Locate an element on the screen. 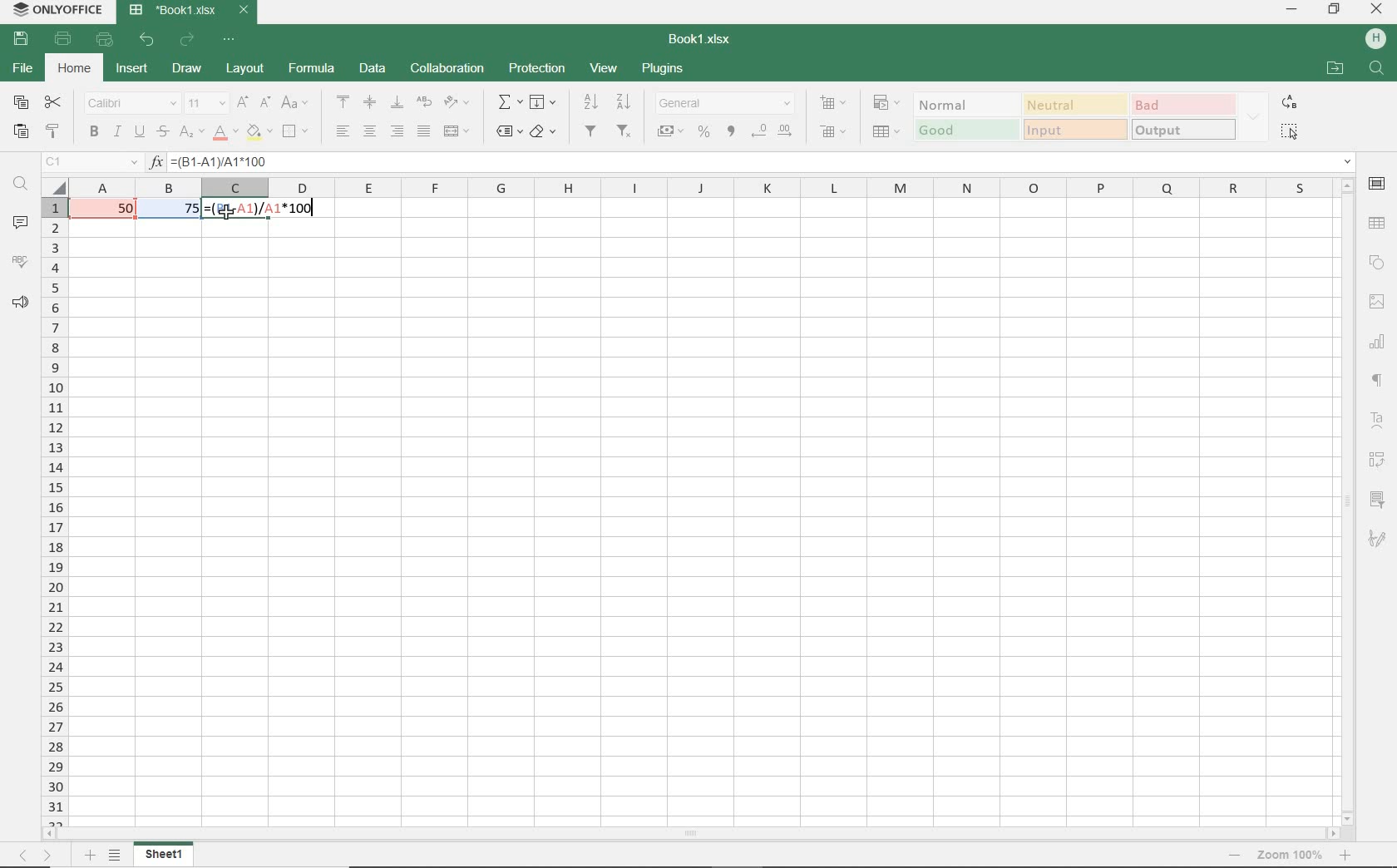 Image resolution: width=1397 pixels, height=868 pixels. HP is located at coordinates (1373, 37).